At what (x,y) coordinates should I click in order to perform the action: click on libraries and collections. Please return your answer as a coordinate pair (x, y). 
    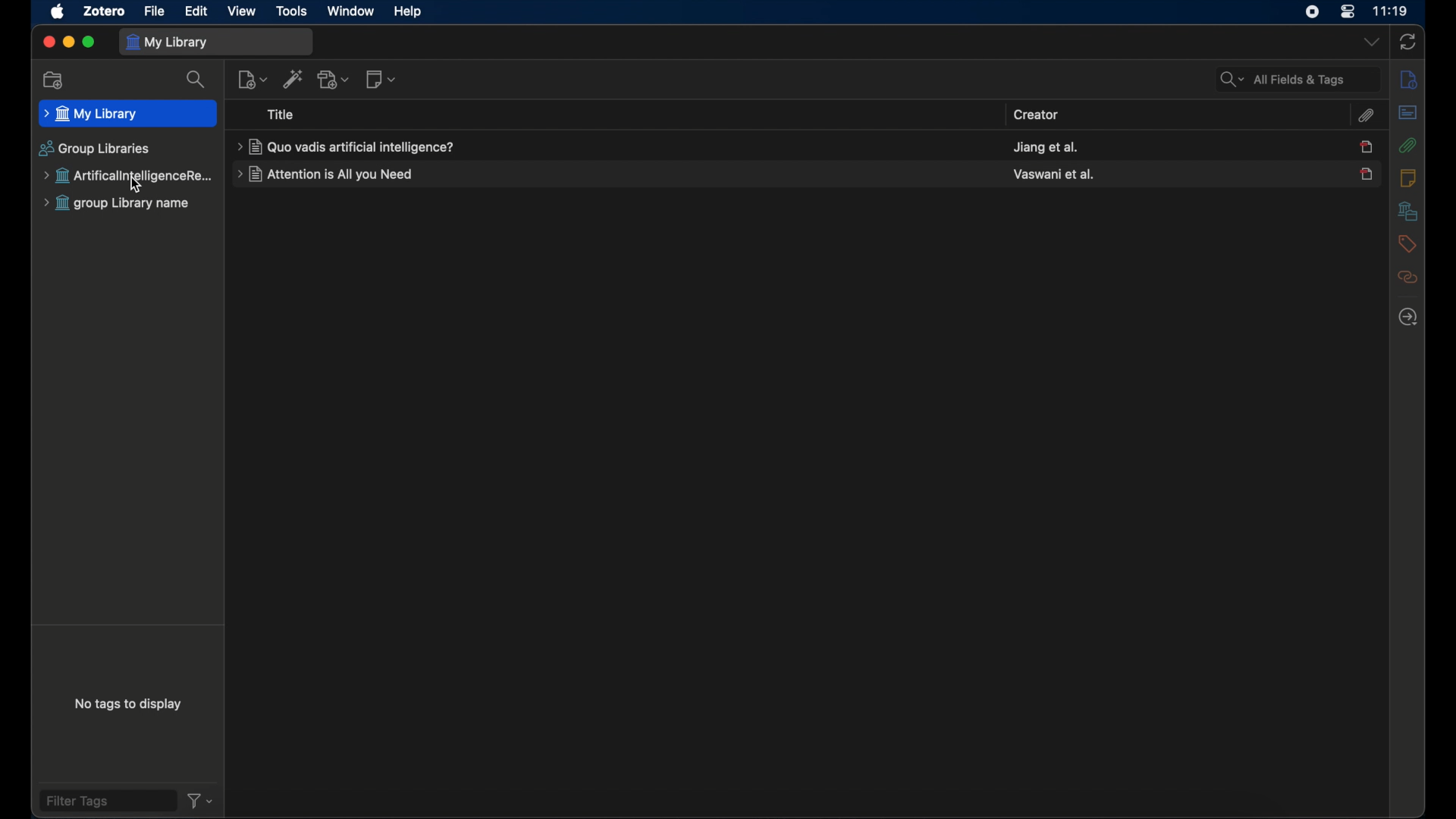
    Looking at the image, I should click on (1407, 212).